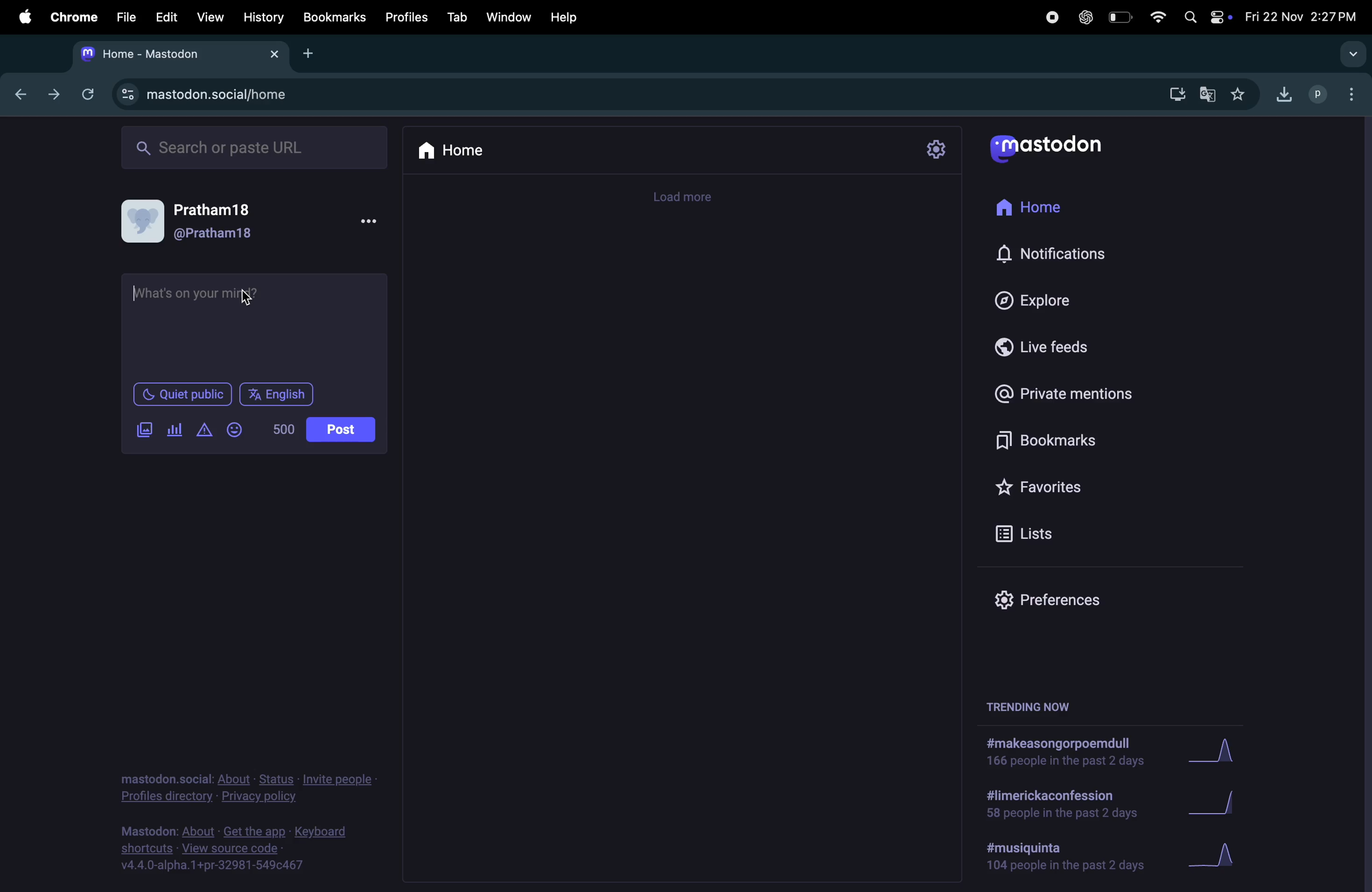 The image size is (1372, 892). Describe the element at coordinates (1087, 488) in the screenshot. I see `favorites` at that location.